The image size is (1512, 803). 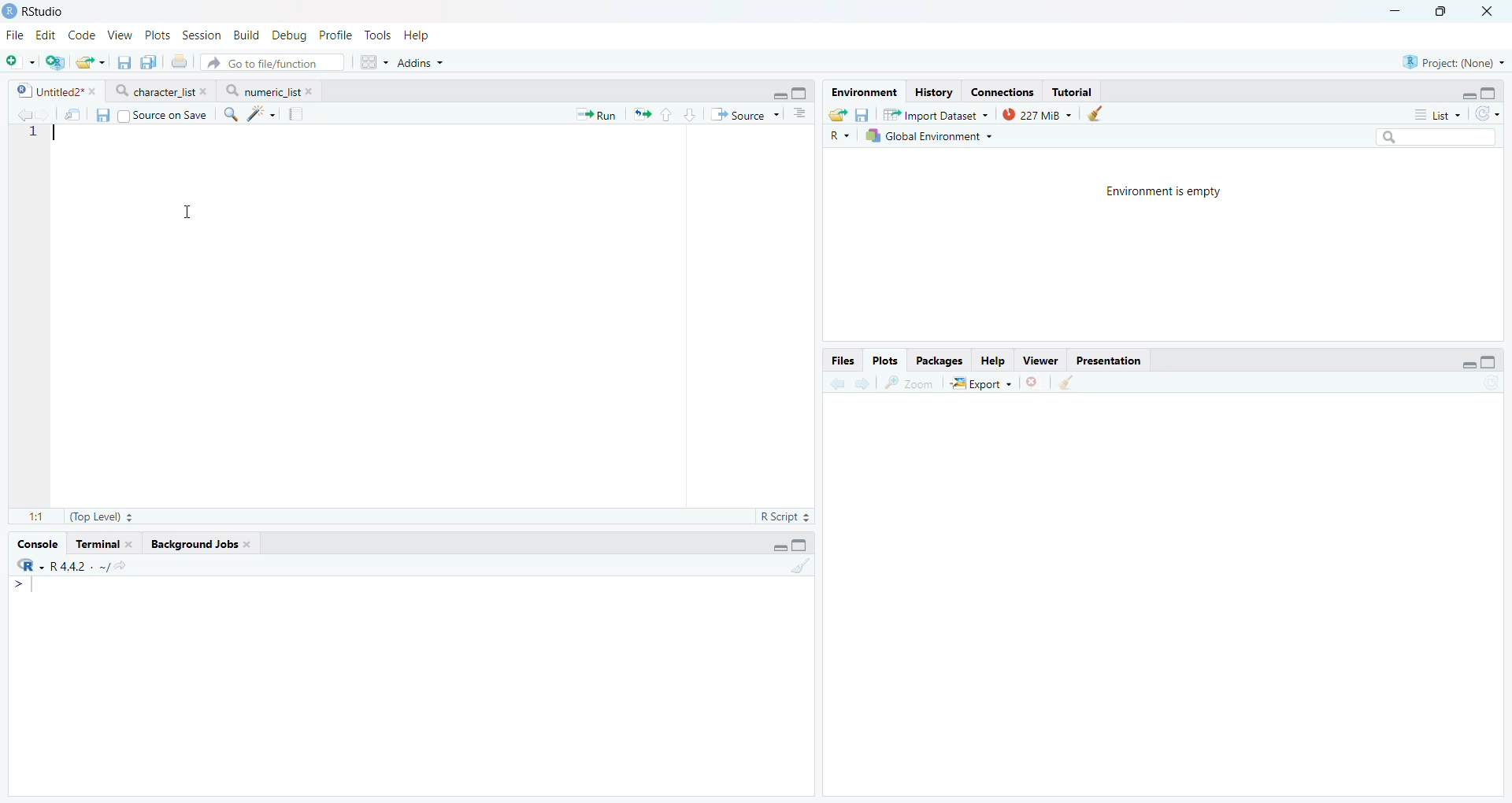 What do you see at coordinates (744, 114) in the screenshot?
I see `Source` at bounding box center [744, 114].